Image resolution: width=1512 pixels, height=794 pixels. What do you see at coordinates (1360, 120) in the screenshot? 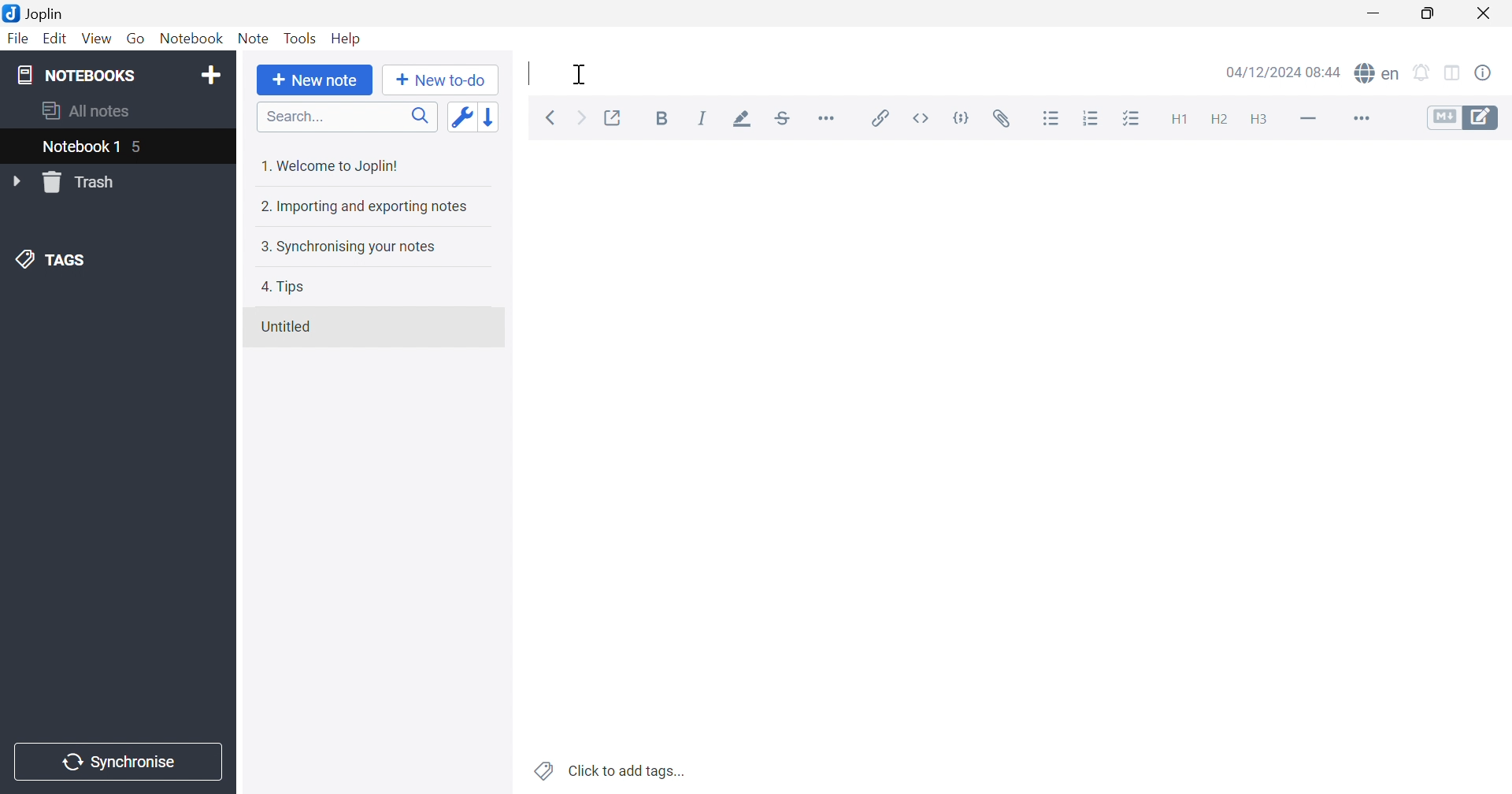
I see `More` at bounding box center [1360, 120].